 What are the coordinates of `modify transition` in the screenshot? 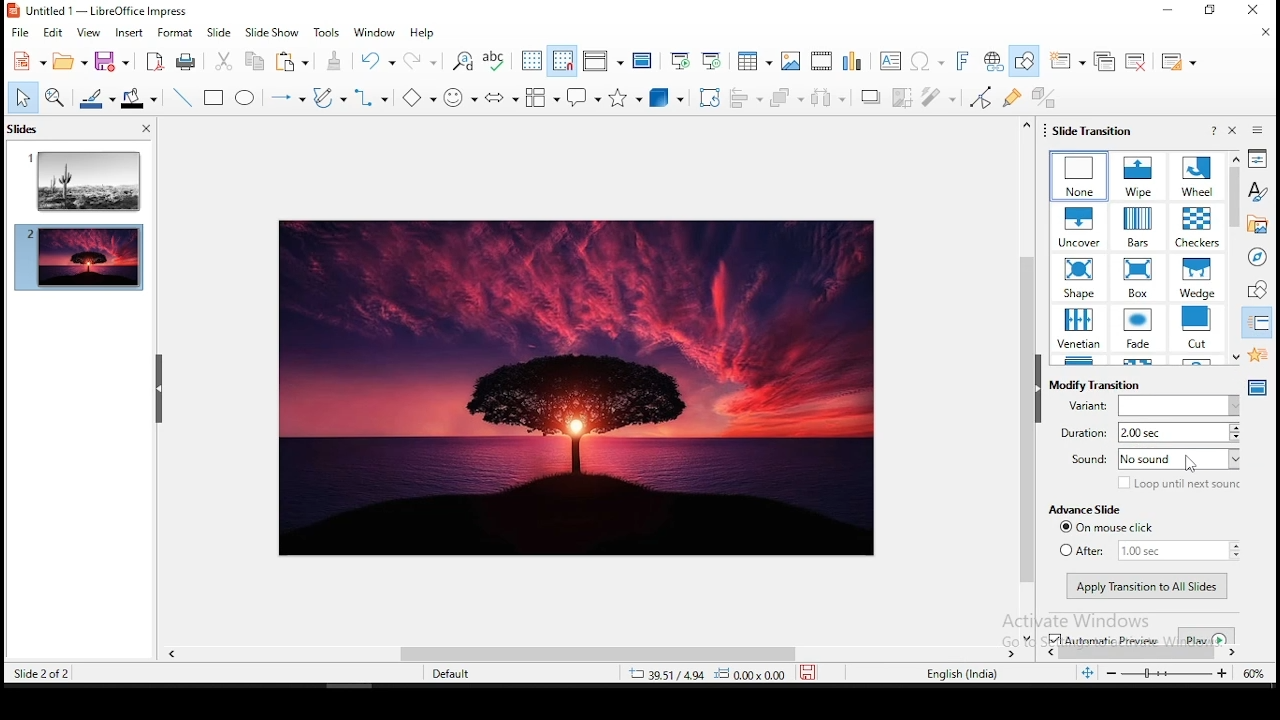 It's located at (1095, 385).